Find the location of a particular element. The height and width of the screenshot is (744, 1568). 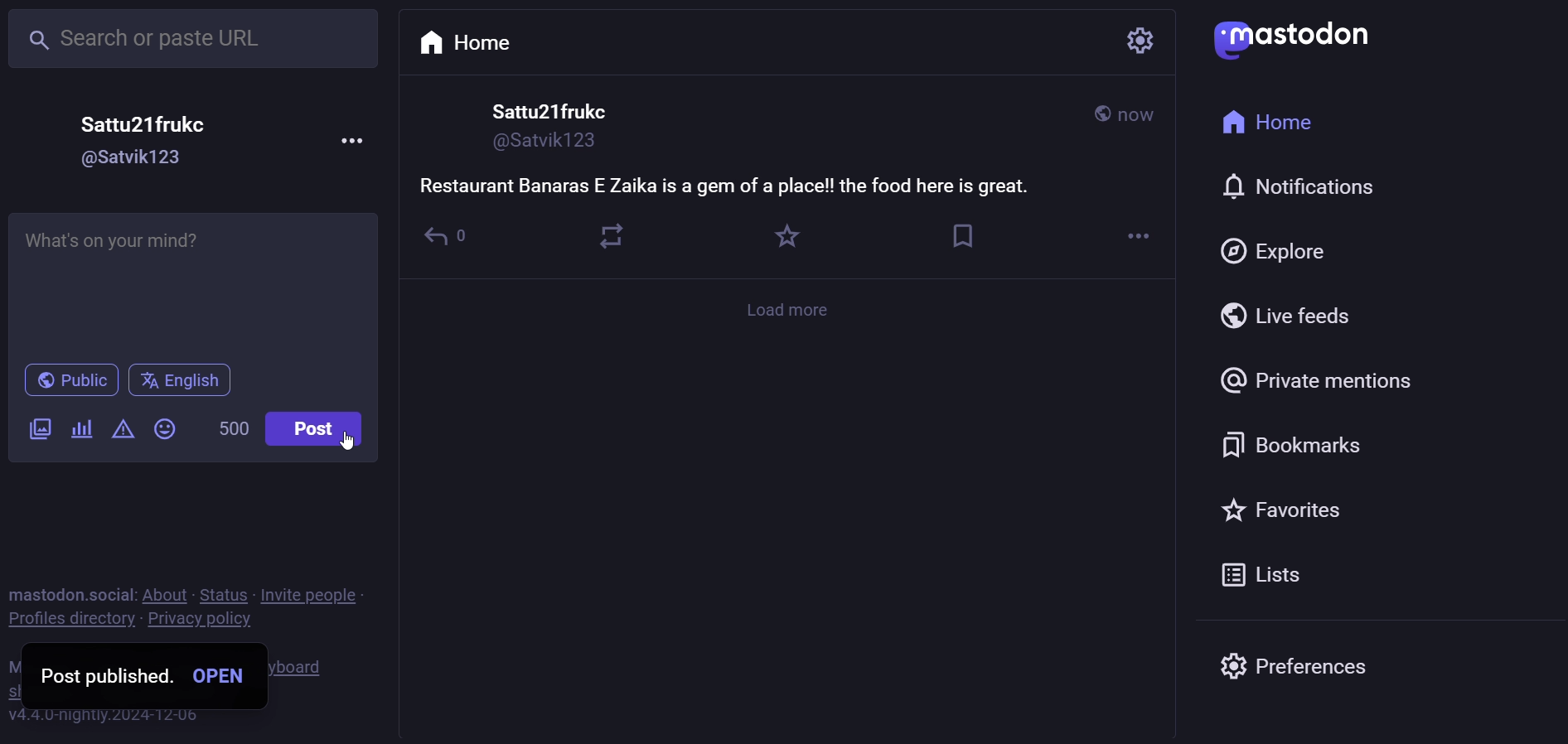

recommendation posted is located at coordinates (735, 188).